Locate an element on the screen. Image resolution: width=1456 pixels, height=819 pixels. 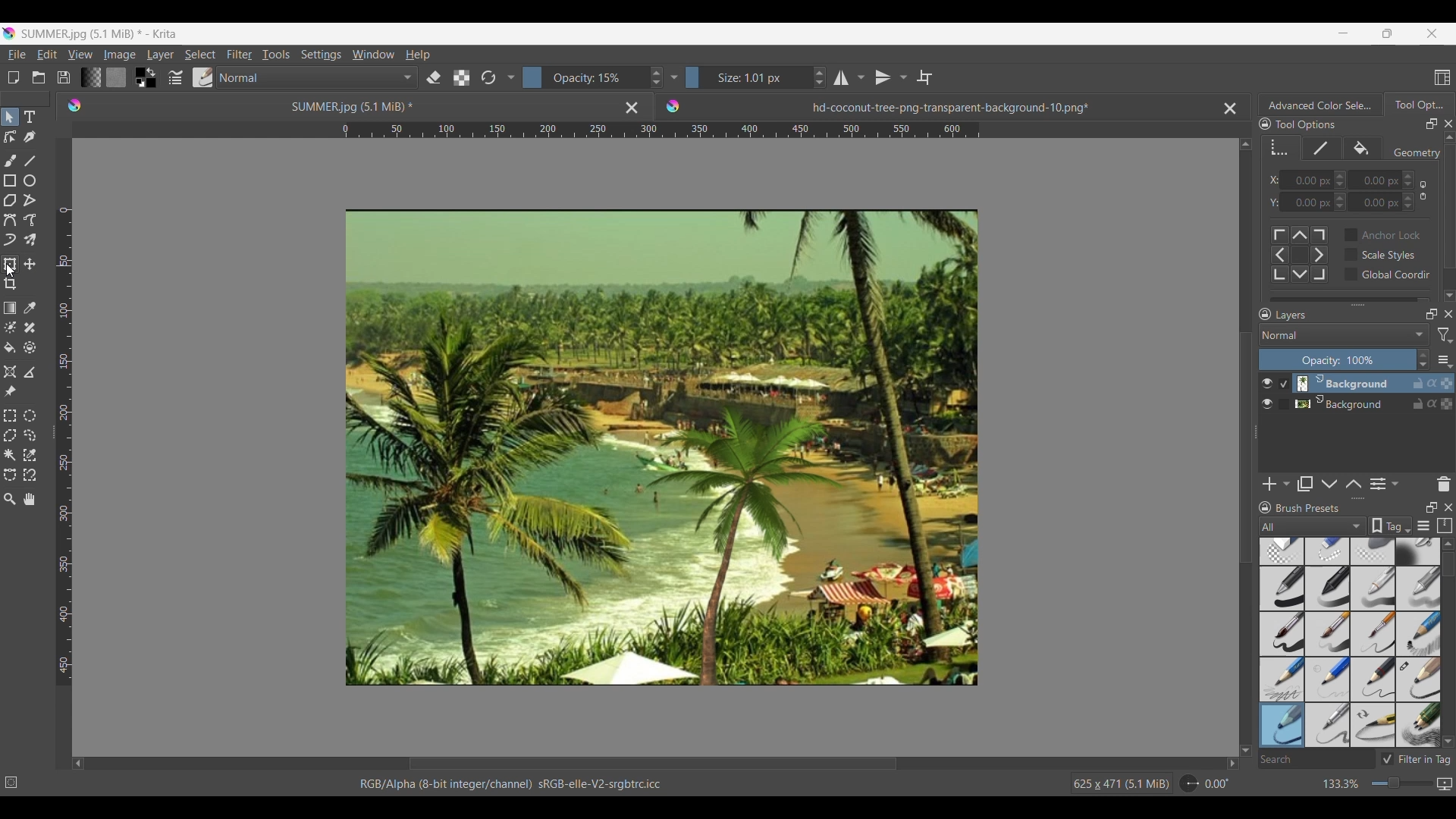
Y is located at coordinates (1269, 202).